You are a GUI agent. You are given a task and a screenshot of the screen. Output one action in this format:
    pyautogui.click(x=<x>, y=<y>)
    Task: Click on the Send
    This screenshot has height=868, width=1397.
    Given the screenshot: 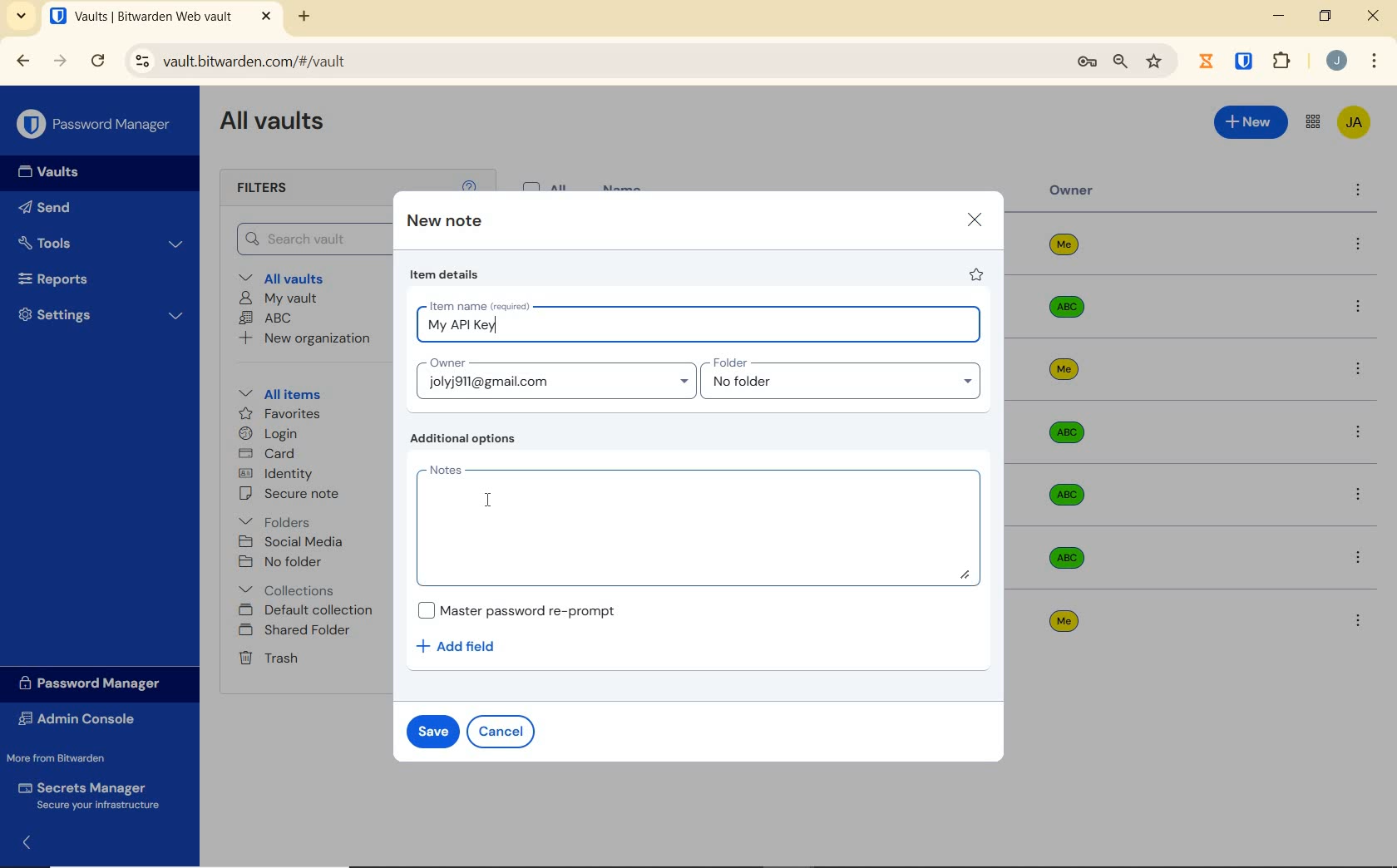 What is the action you would take?
    pyautogui.click(x=76, y=210)
    